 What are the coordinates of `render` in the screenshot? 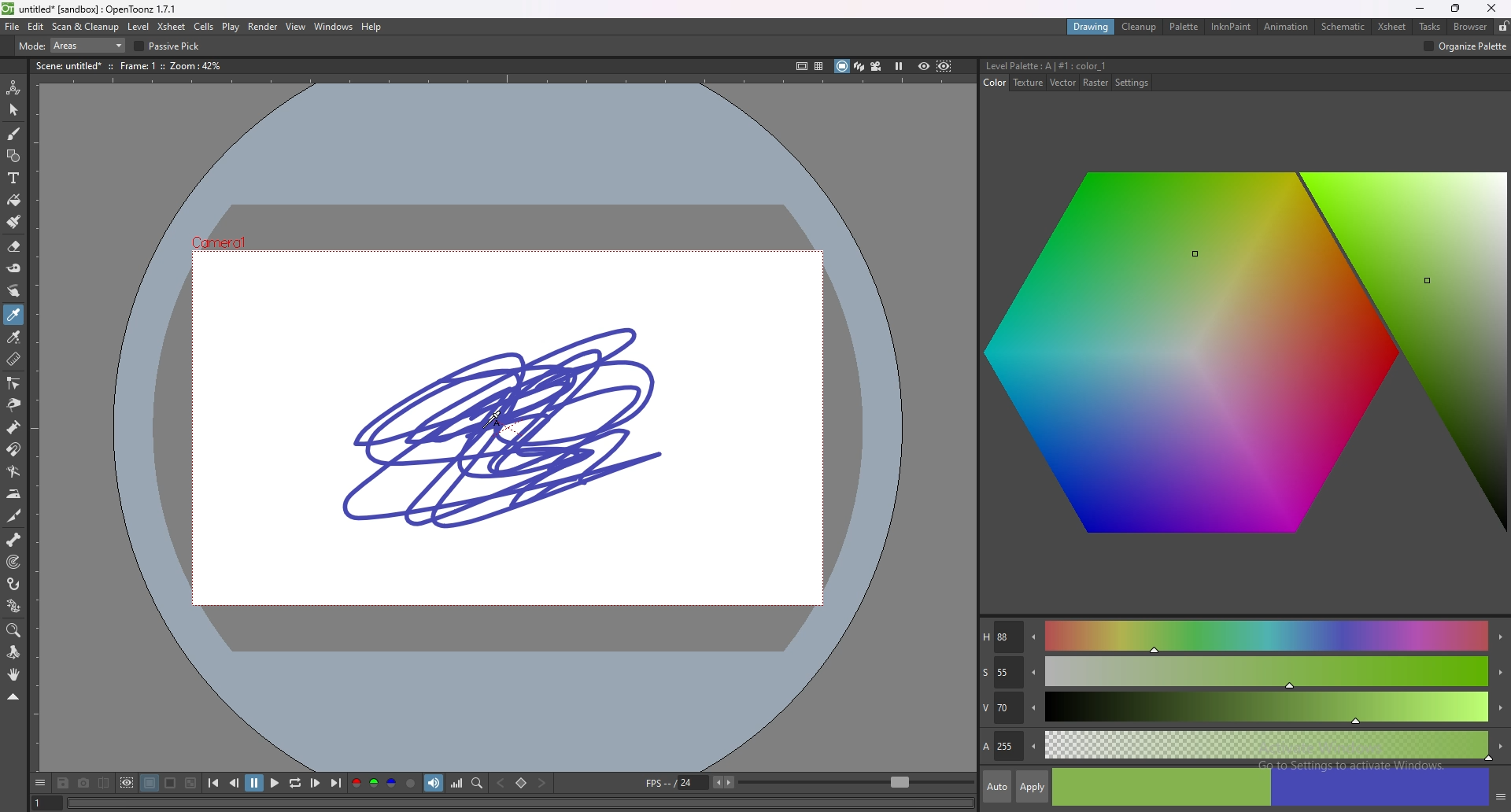 It's located at (264, 26).